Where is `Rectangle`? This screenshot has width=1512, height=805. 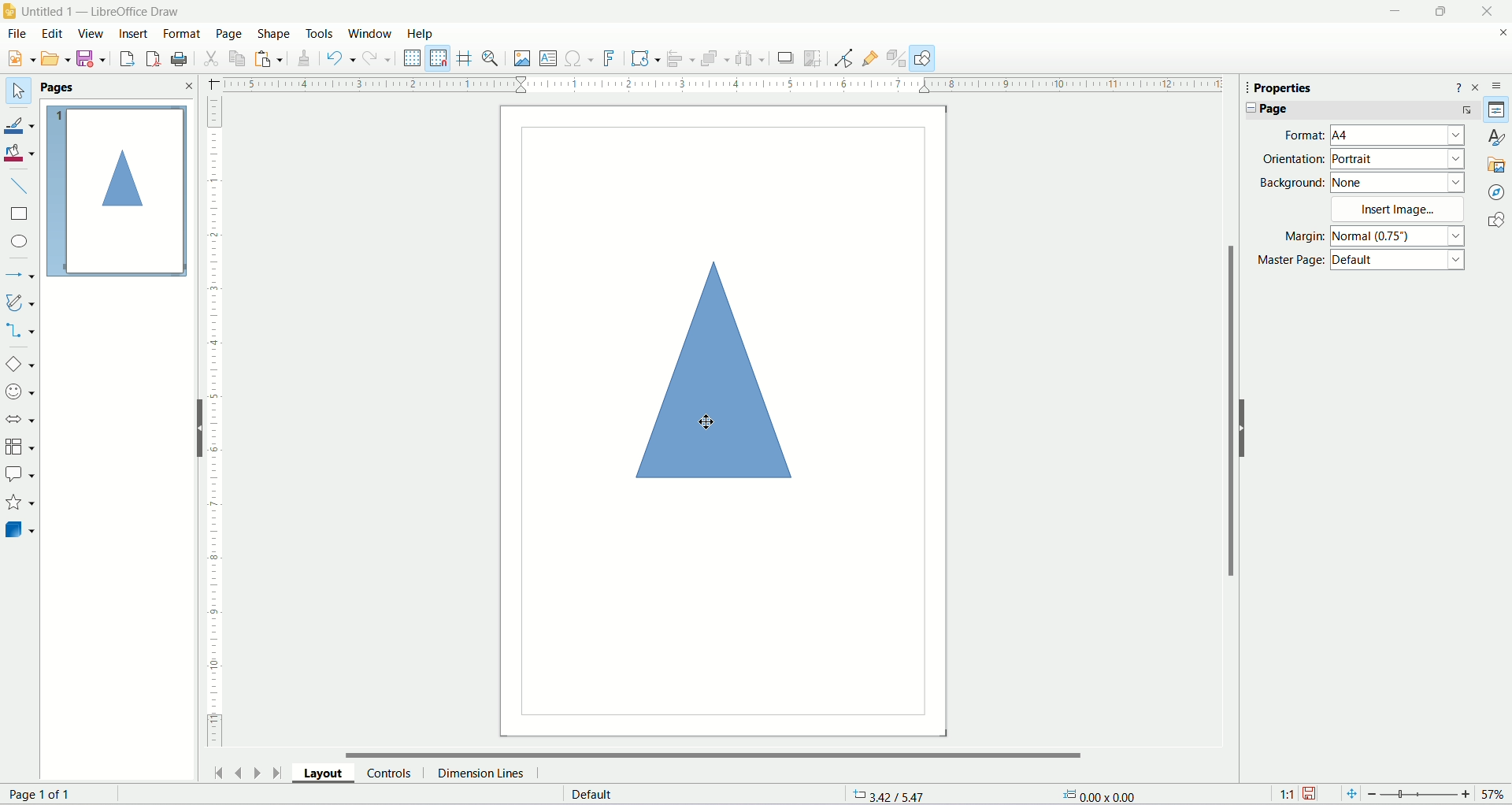 Rectangle is located at coordinates (20, 213).